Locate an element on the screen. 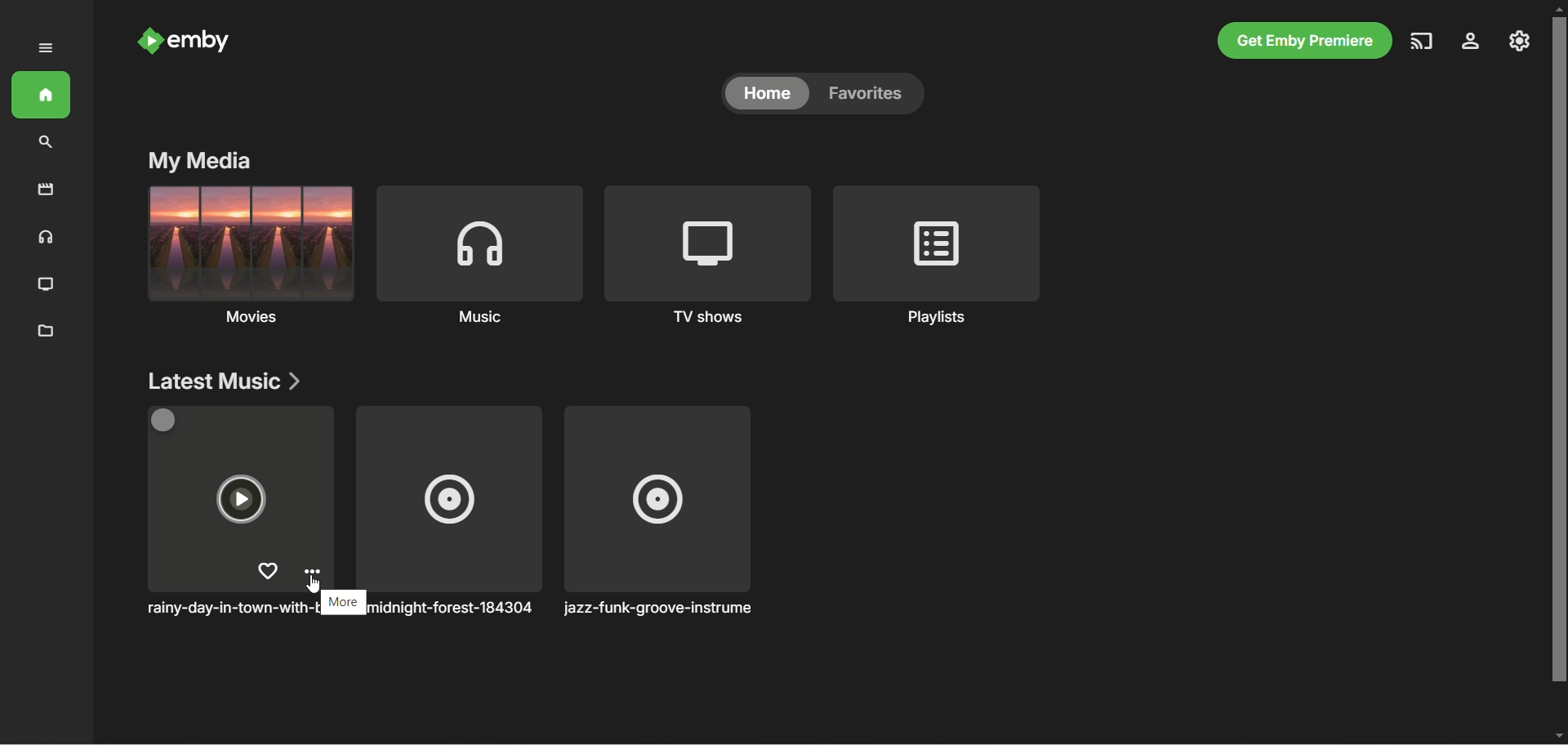  Cursor is located at coordinates (313, 584).